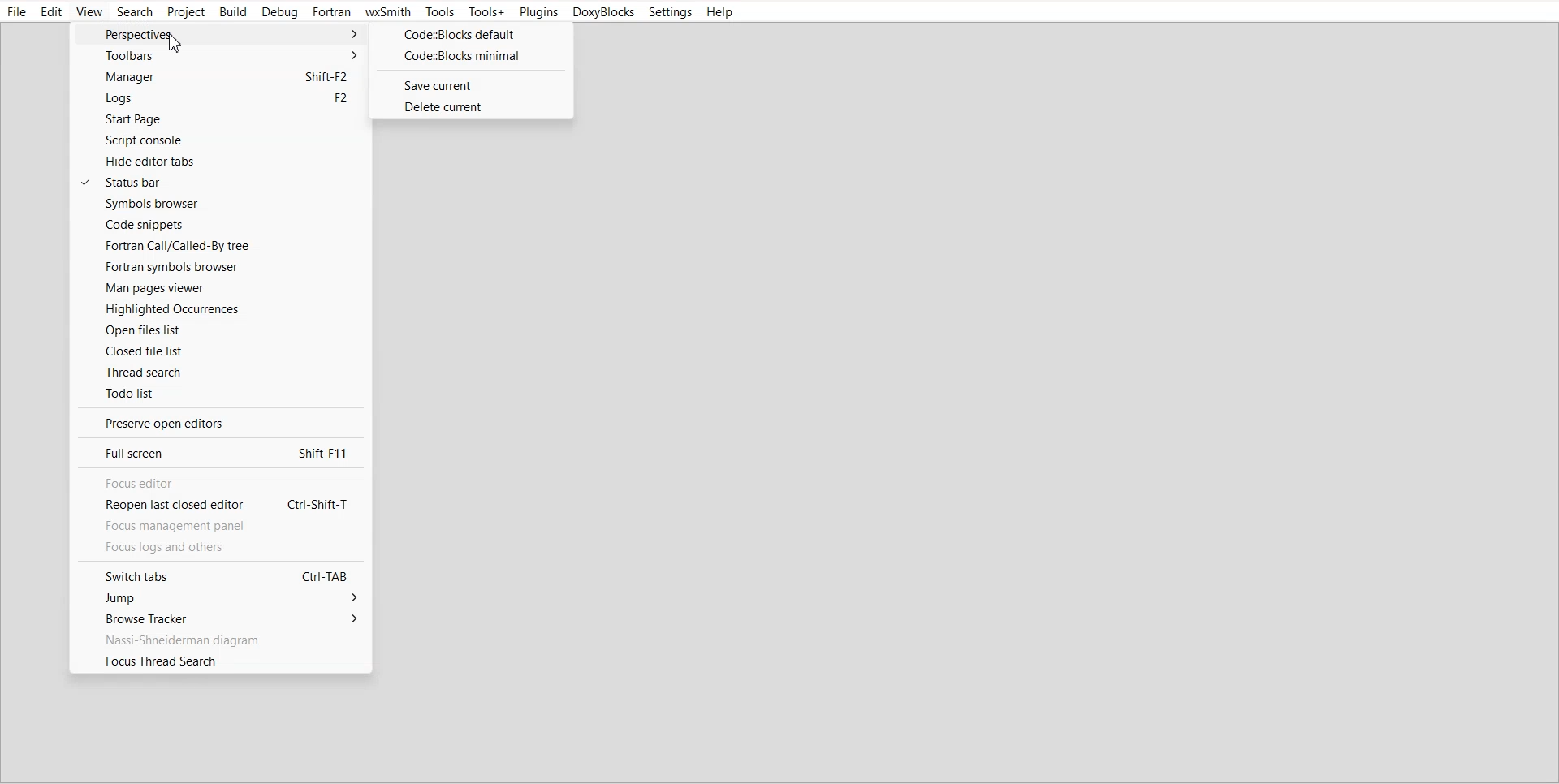 The height and width of the screenshot is (784, 1559). What do you see at coordinates (216, 77) in the screenshot?
I see `Manager` at bounding box center [216, 77].